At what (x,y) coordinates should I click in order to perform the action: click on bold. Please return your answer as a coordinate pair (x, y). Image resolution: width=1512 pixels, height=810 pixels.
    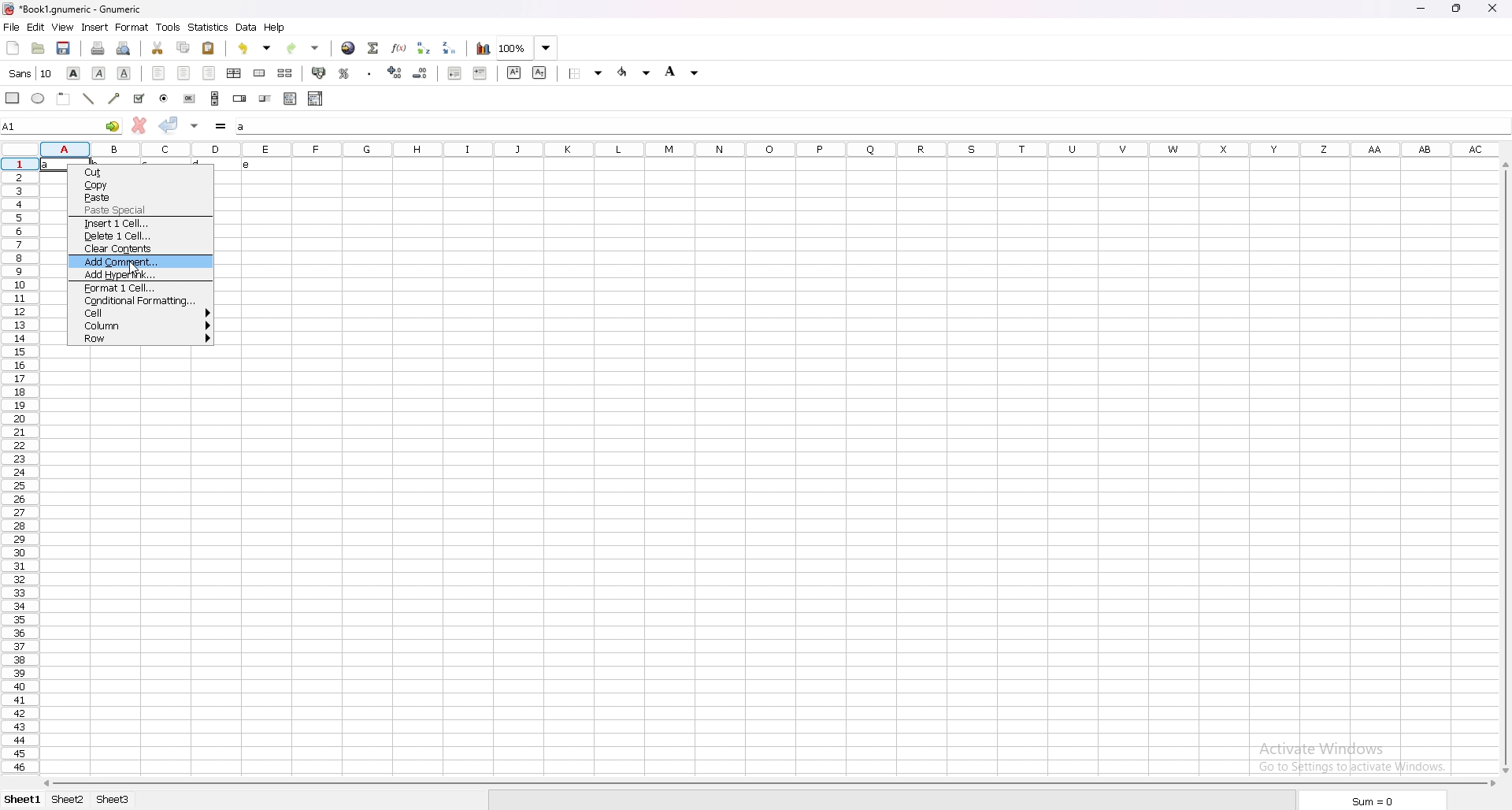
    Looking at the image, I should click on (75, 73).